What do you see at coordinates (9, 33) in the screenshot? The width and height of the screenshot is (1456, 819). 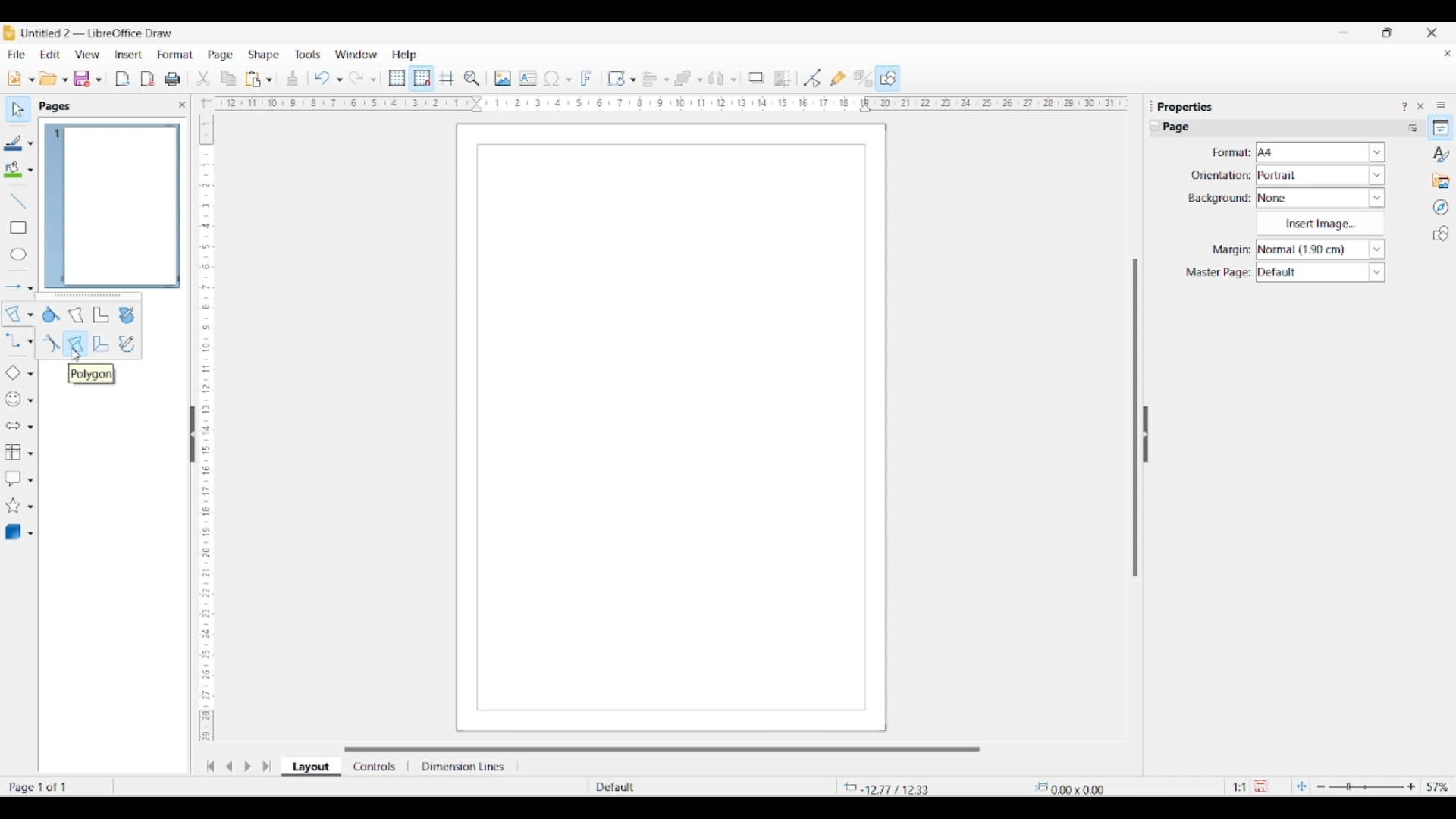 I see `Software logo` at bounding box center [9, 33].